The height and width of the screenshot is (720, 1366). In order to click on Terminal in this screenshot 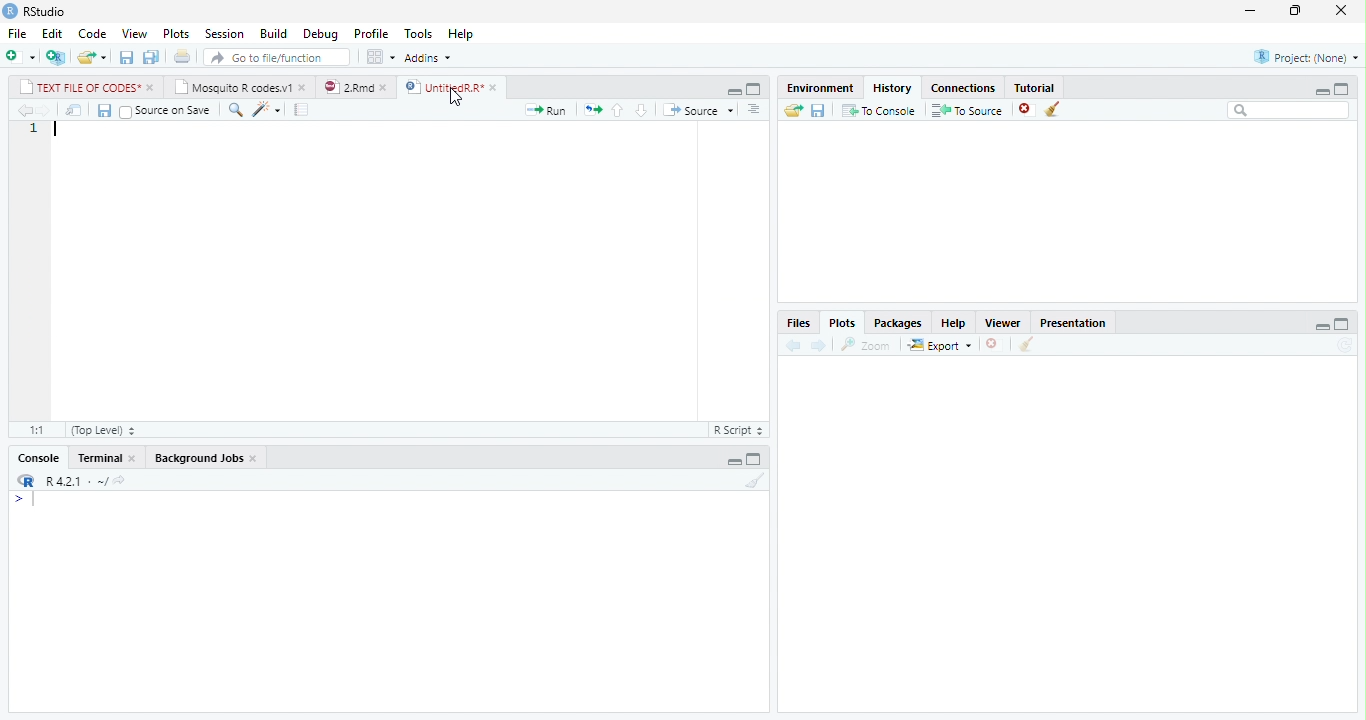, I will do `click(98, 458)`.